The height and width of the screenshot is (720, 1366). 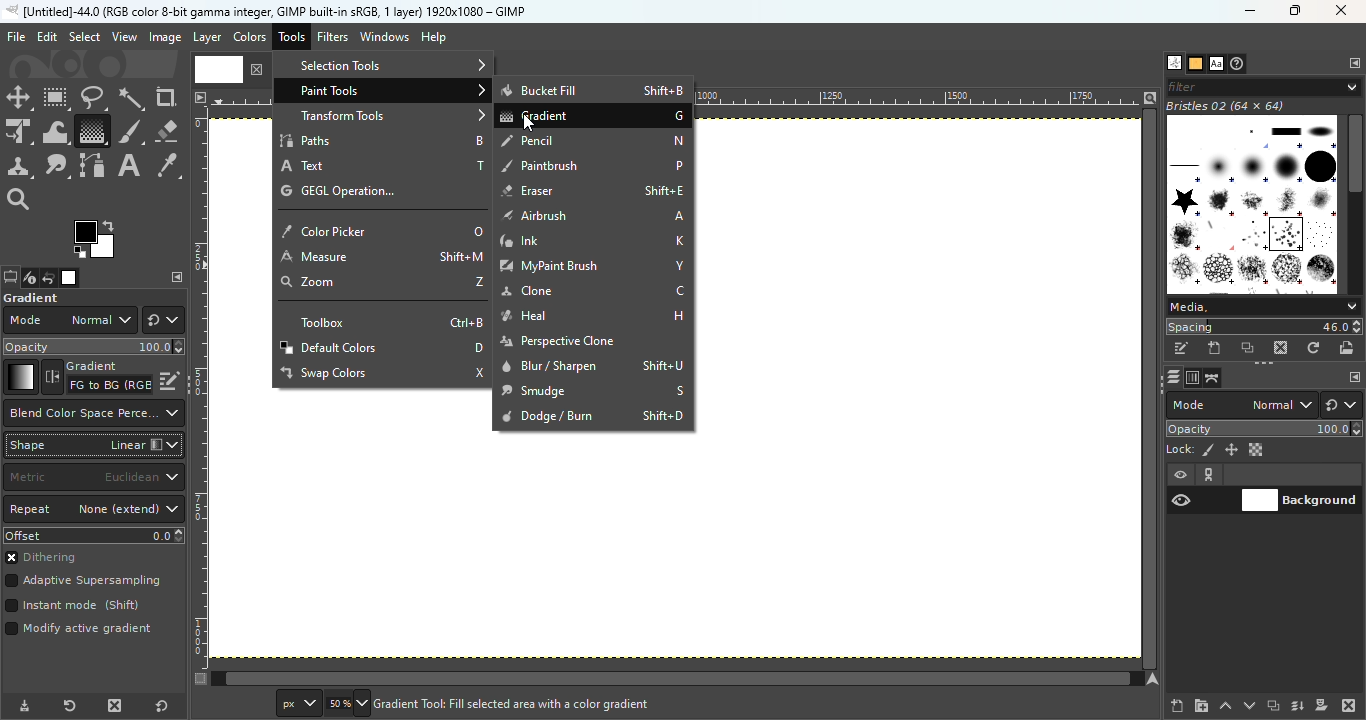 What do you see at coordinates (1216, 64) in the screenshot?
I see `open the fonts tab` at bounding box center [1216, 64].